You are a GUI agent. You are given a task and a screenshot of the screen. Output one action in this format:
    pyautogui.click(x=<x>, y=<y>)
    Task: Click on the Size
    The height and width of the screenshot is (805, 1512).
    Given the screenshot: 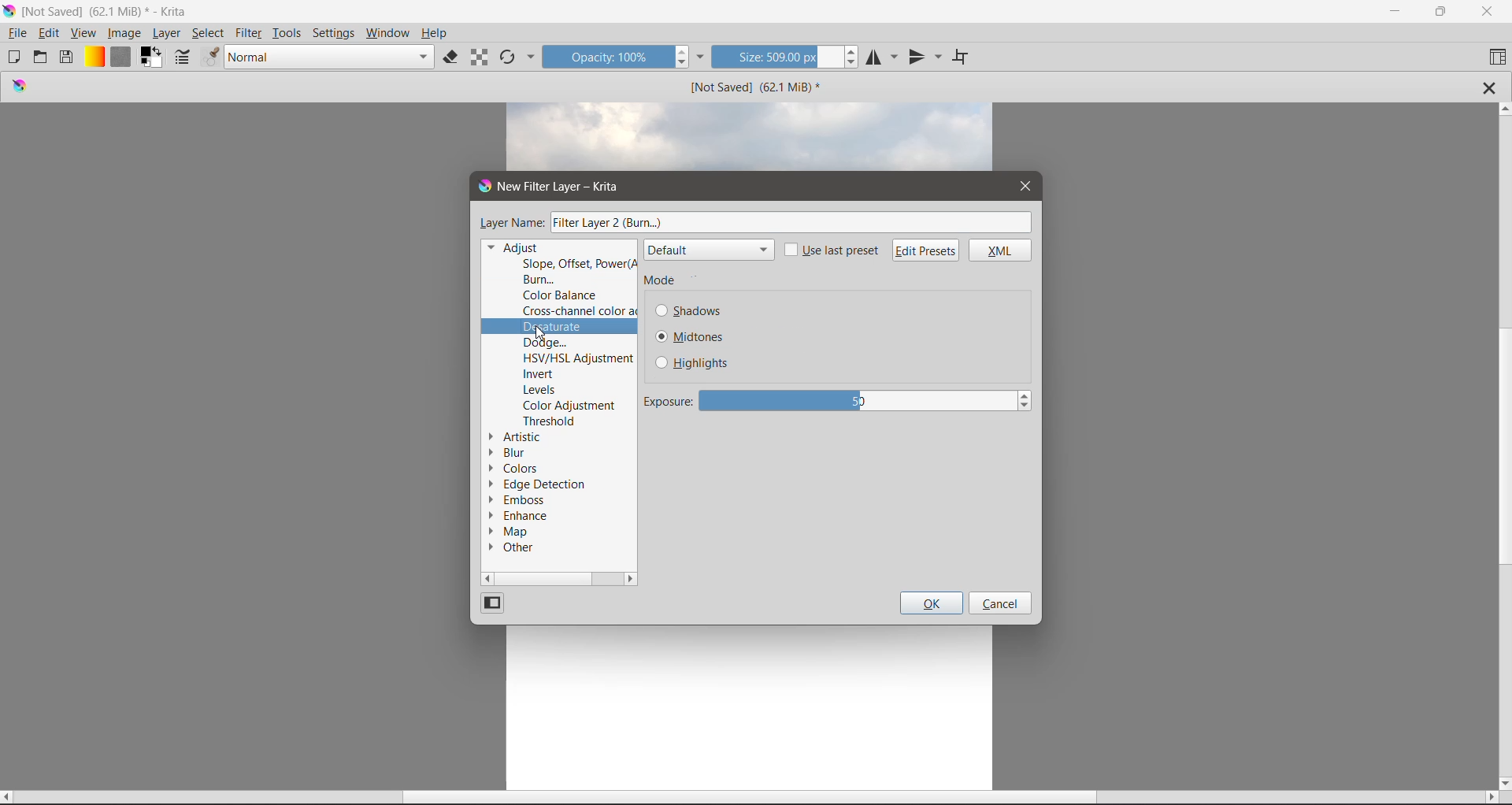 What is the action you would take?
    pyautogui.click(x=776, y=57)
    